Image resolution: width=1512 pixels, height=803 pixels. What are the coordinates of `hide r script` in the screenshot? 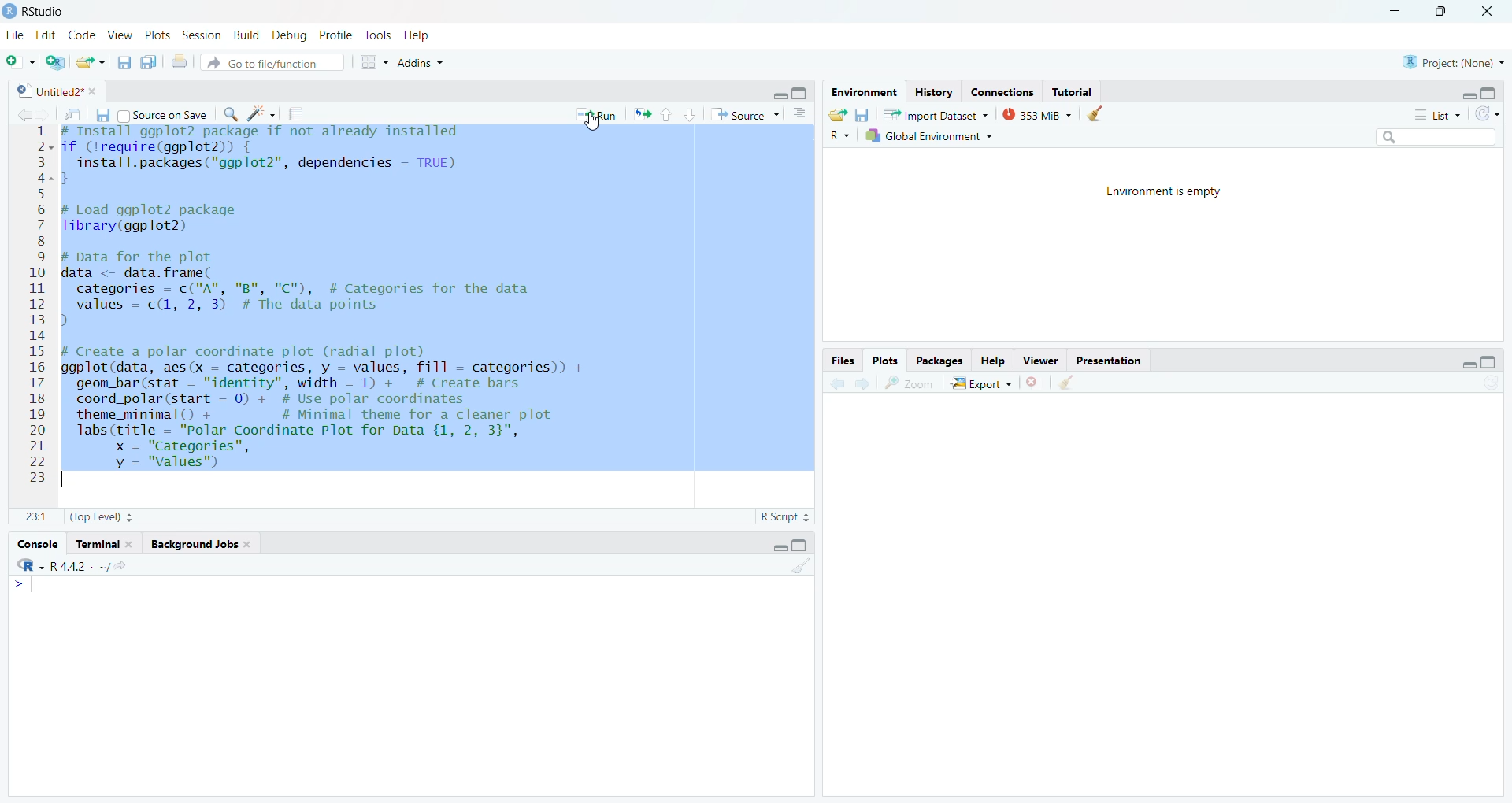 It's located at (1467, 361).